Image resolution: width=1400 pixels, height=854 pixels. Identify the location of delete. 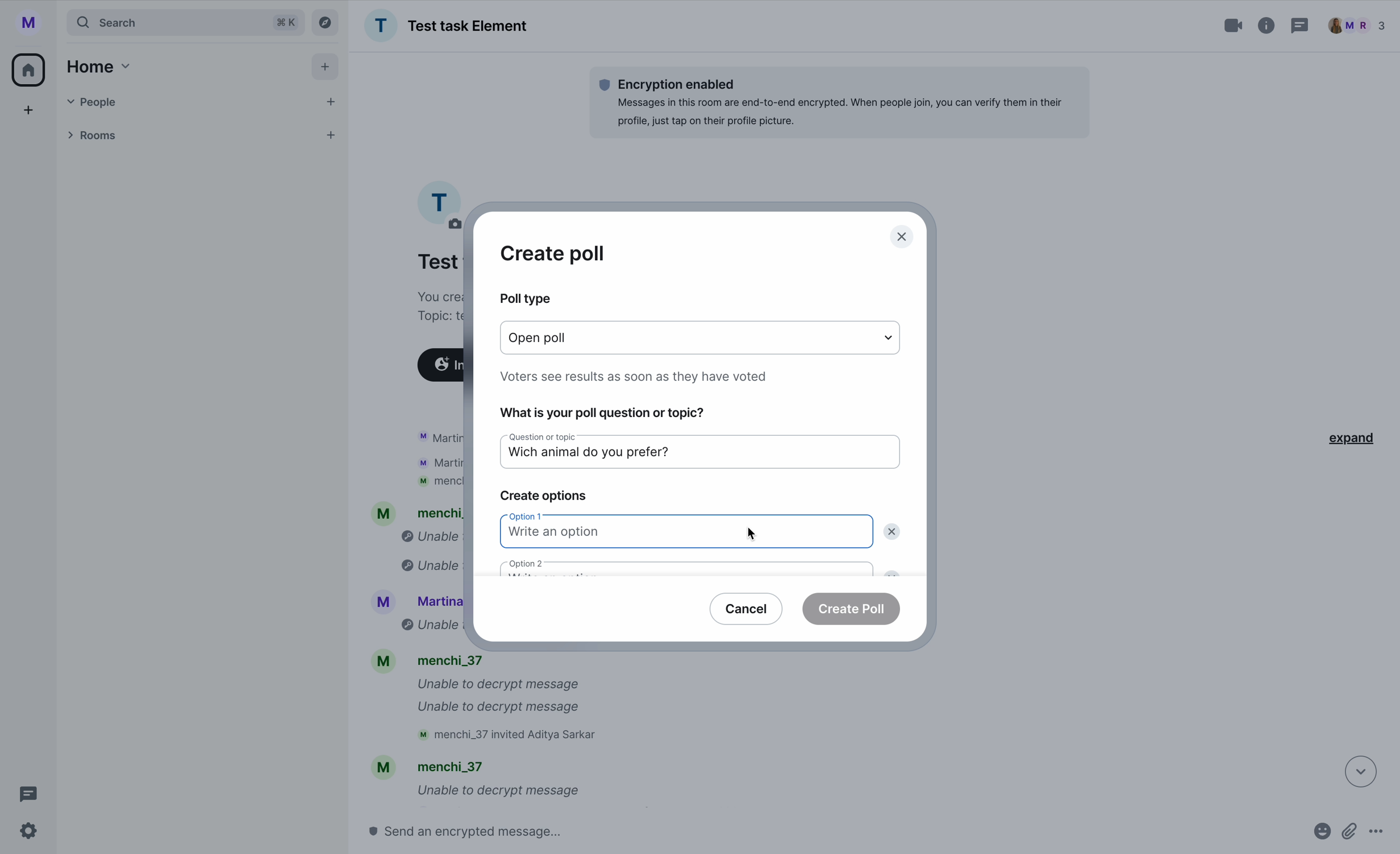
(894, 532).